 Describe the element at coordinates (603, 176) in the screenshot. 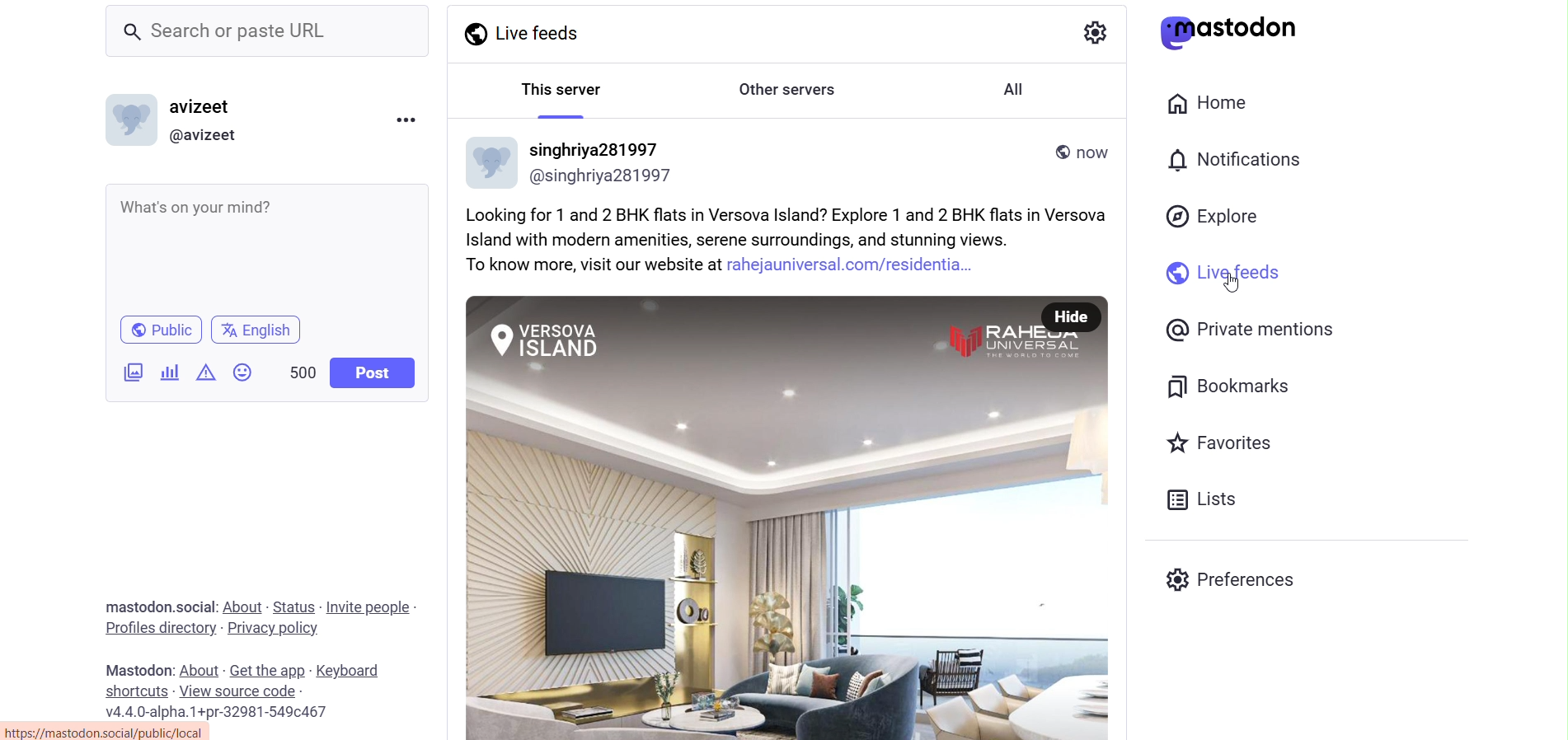

I see `@User Name` at that location.